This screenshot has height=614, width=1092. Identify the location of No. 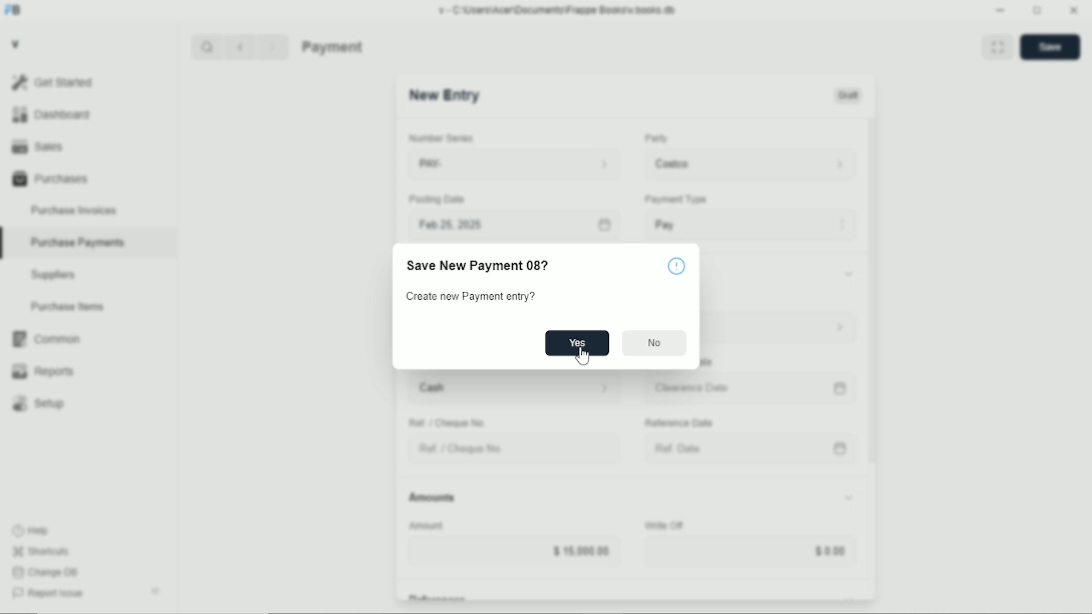
(654, 343).